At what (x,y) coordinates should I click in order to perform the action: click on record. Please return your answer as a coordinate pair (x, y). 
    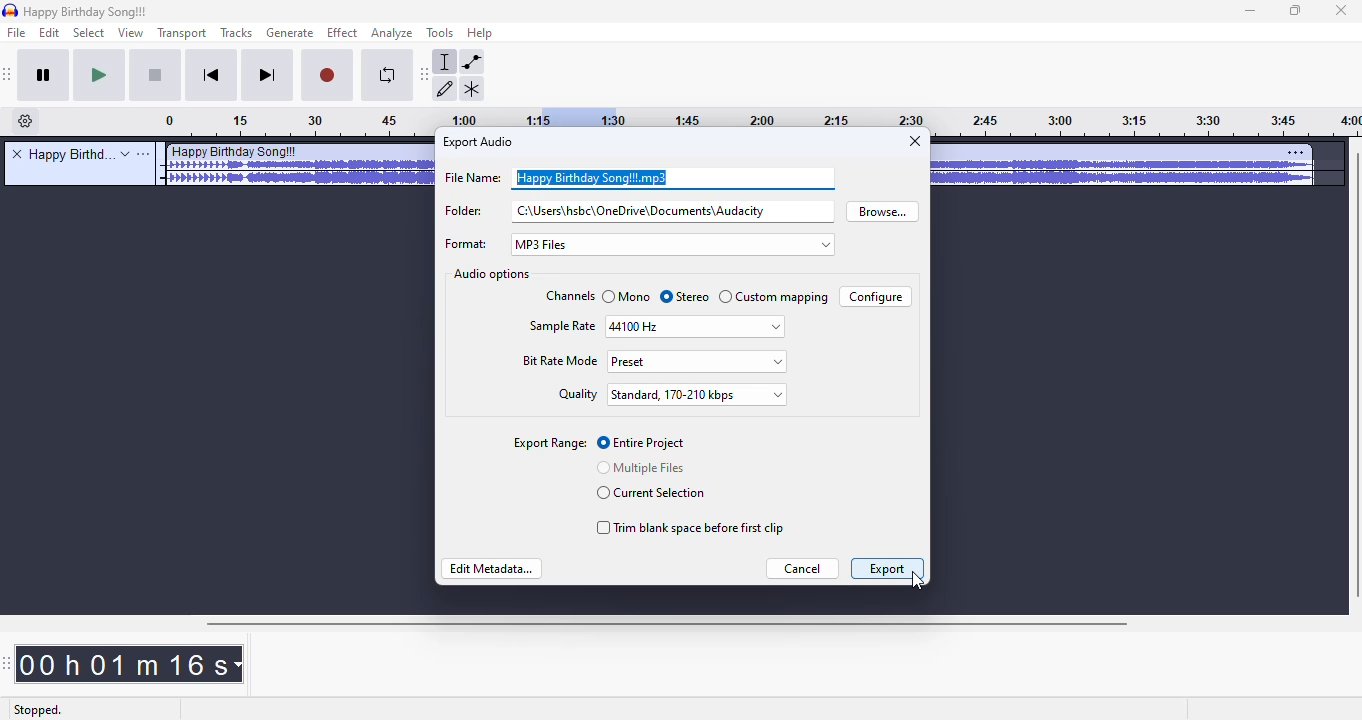
    Looking at the image, I should click on (328, 77).